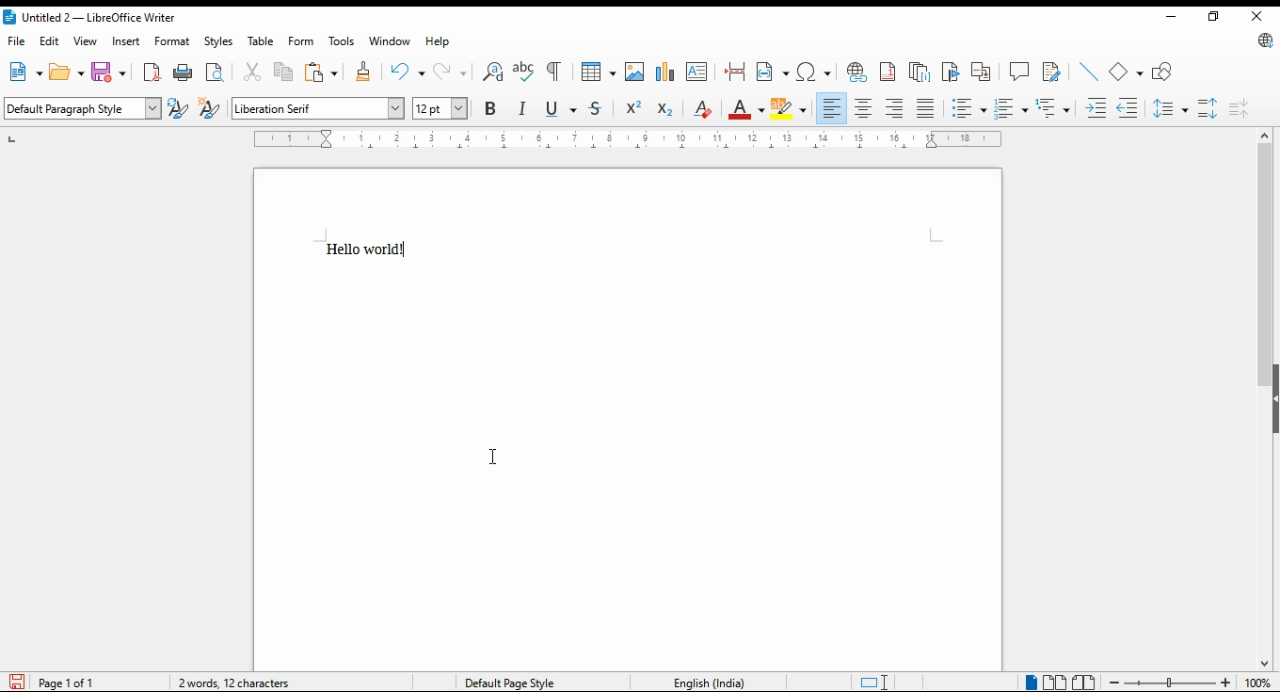 Image resolution: width=1280 pixels, height=692 pixels. What do you see at coordinates (84, 41) in the screenshot?
I see `view` at bounding box center [84, 41].